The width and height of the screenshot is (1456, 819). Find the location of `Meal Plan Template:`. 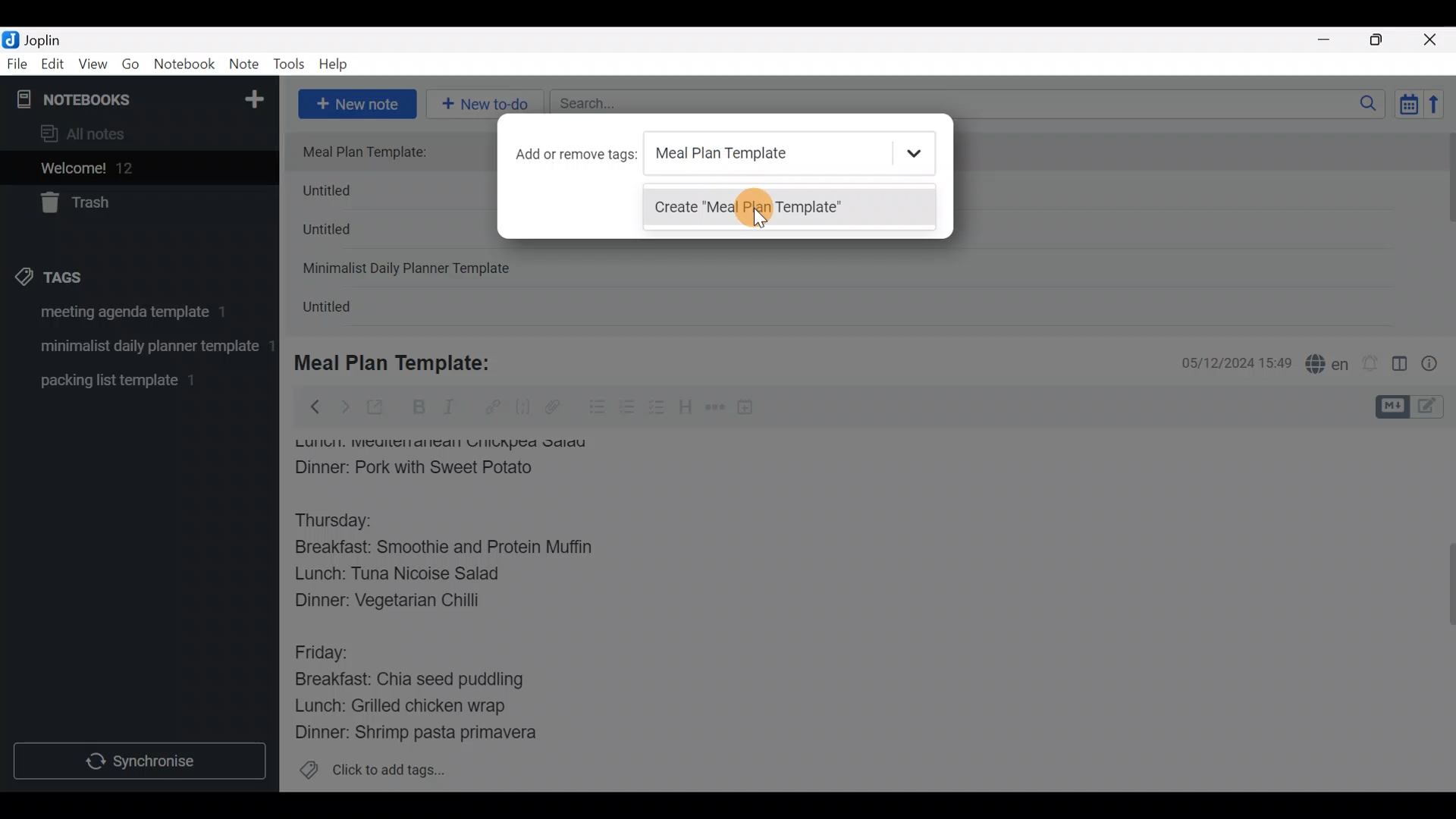

Meal Plan Template: is located at coordinates (402, 361).